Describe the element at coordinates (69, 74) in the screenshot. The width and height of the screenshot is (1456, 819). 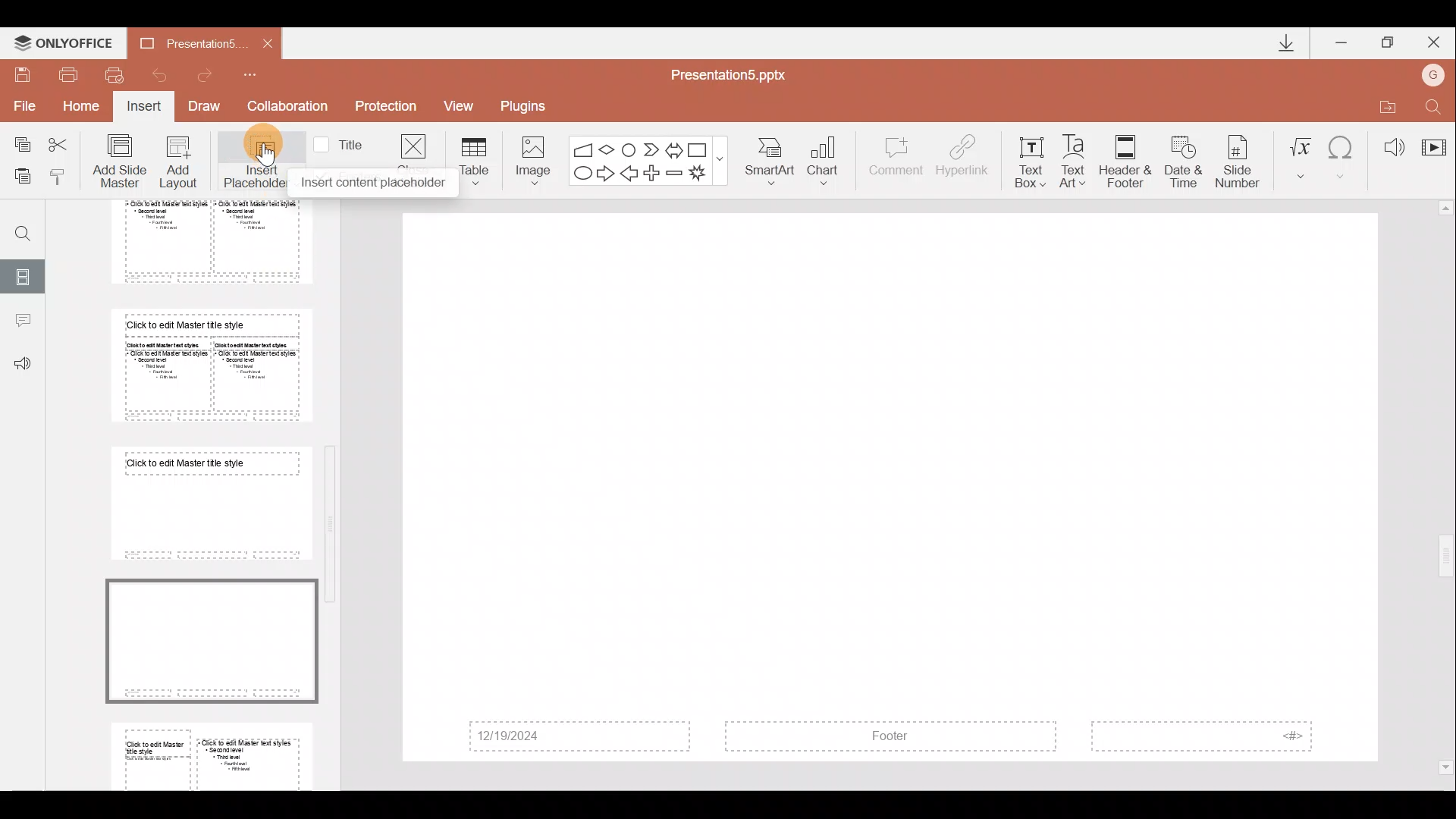
I see `Print file` at that location.